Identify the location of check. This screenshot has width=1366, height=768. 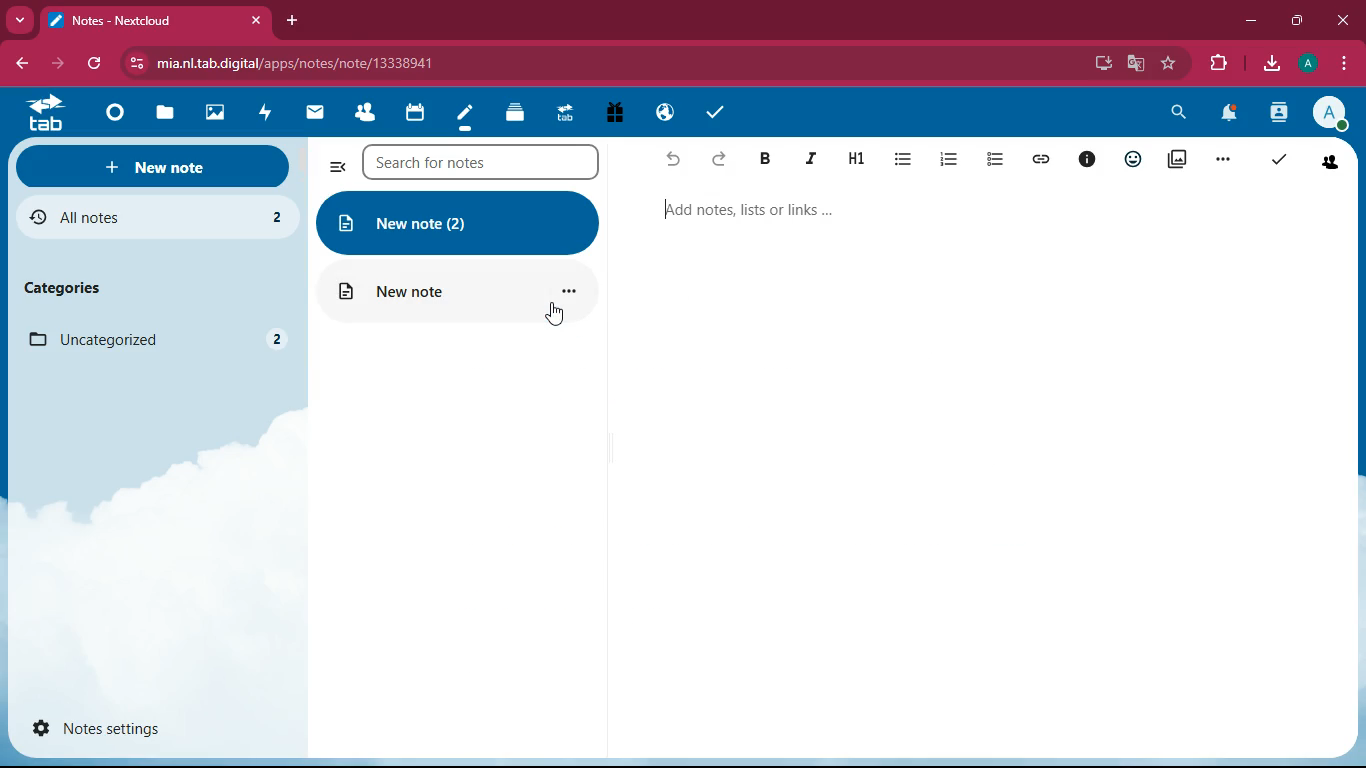
(713, 111).